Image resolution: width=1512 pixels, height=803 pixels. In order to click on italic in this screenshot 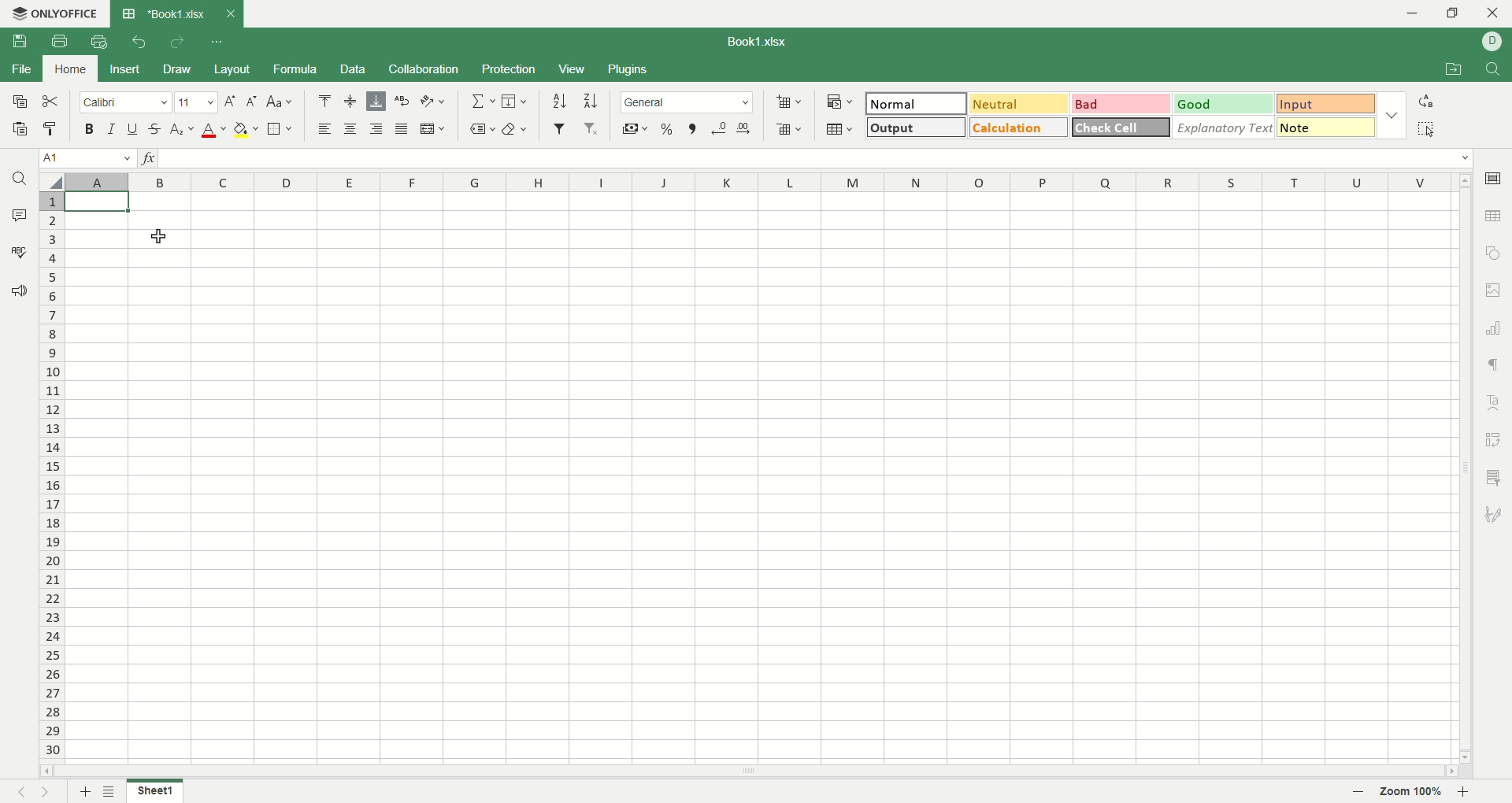, I will do `click(112, 128)`.